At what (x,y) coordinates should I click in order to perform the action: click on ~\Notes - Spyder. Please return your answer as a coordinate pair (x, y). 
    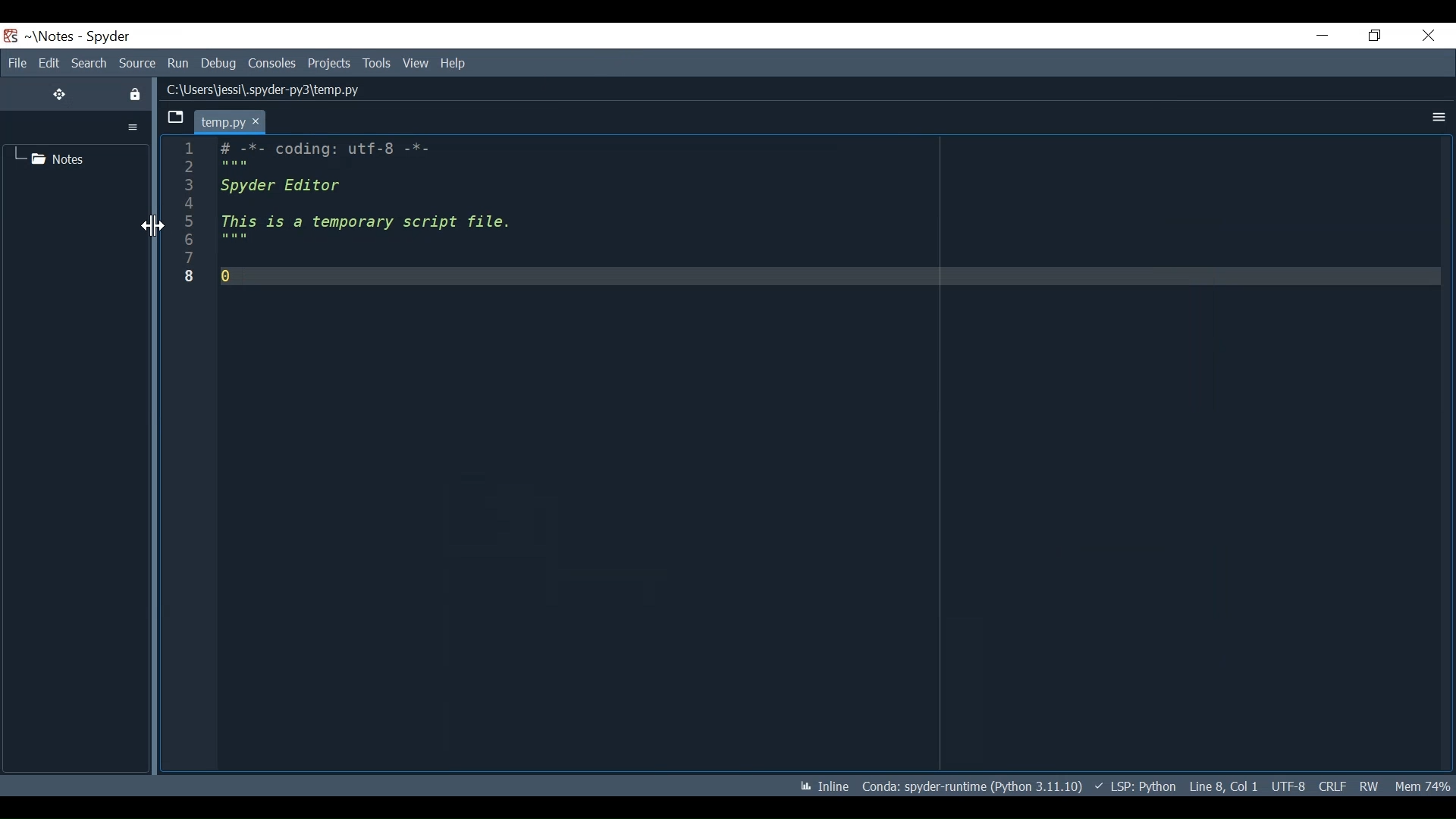
    Looking at the image, I should click on (80, 39).